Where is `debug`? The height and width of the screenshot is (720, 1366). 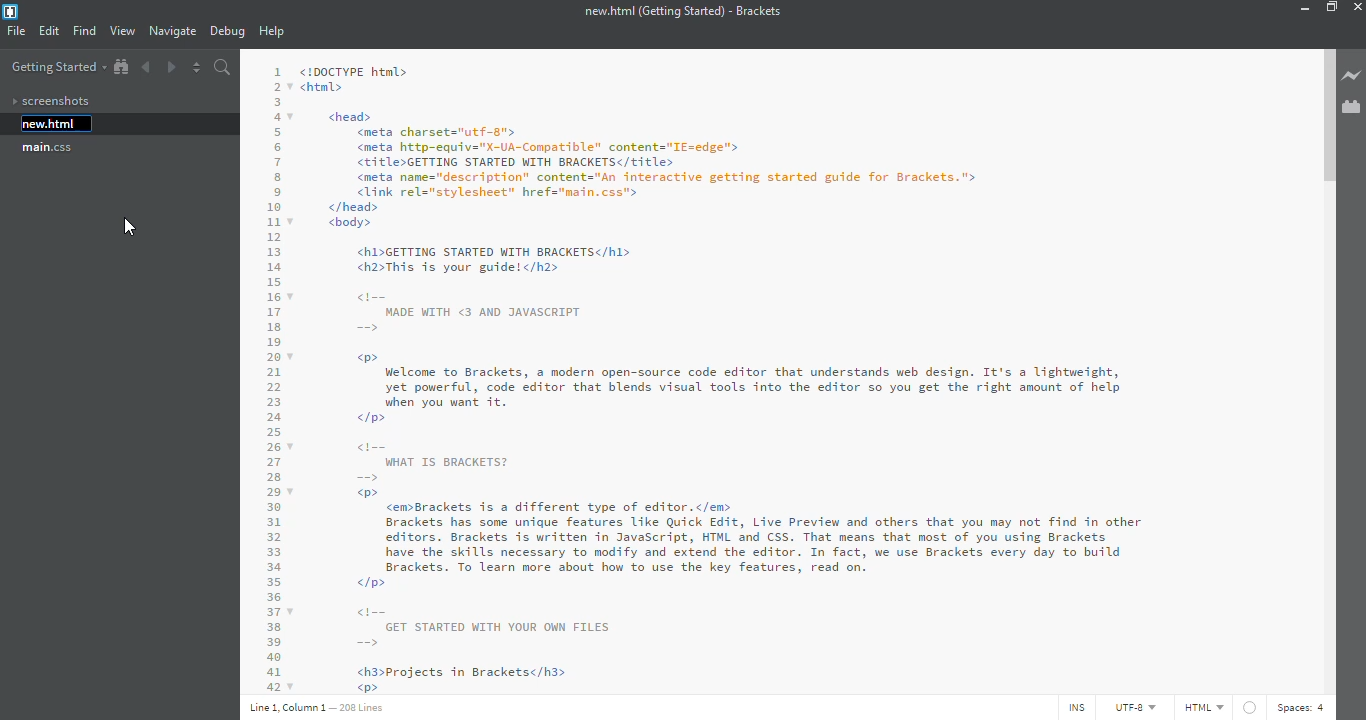 debug is located at coordinates (227, 32).